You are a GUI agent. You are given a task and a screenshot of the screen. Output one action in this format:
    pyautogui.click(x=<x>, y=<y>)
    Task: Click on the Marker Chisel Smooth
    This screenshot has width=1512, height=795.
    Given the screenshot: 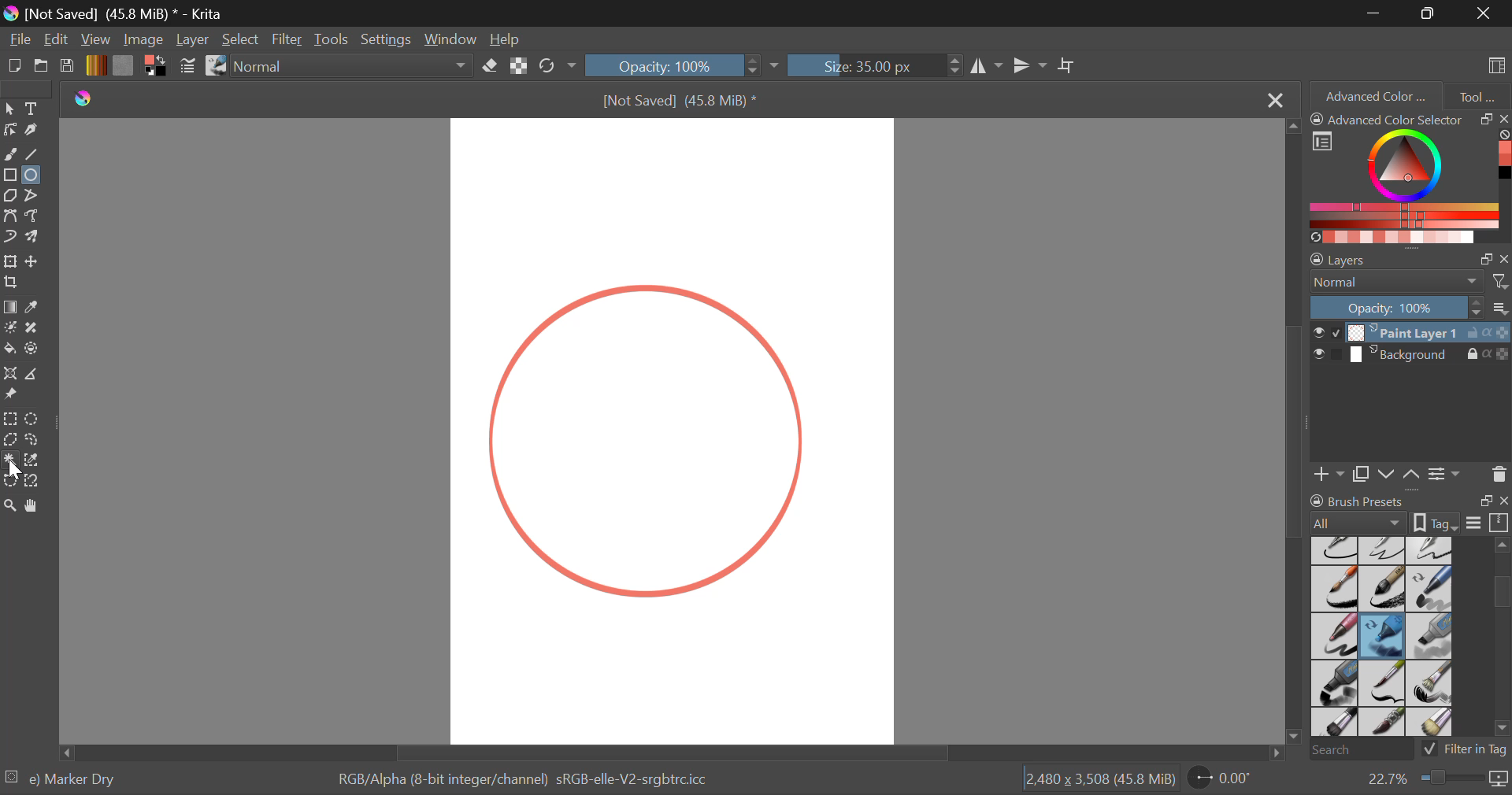 What is the action you would take?
    pyautogui.click(x=1430, y=588)
    